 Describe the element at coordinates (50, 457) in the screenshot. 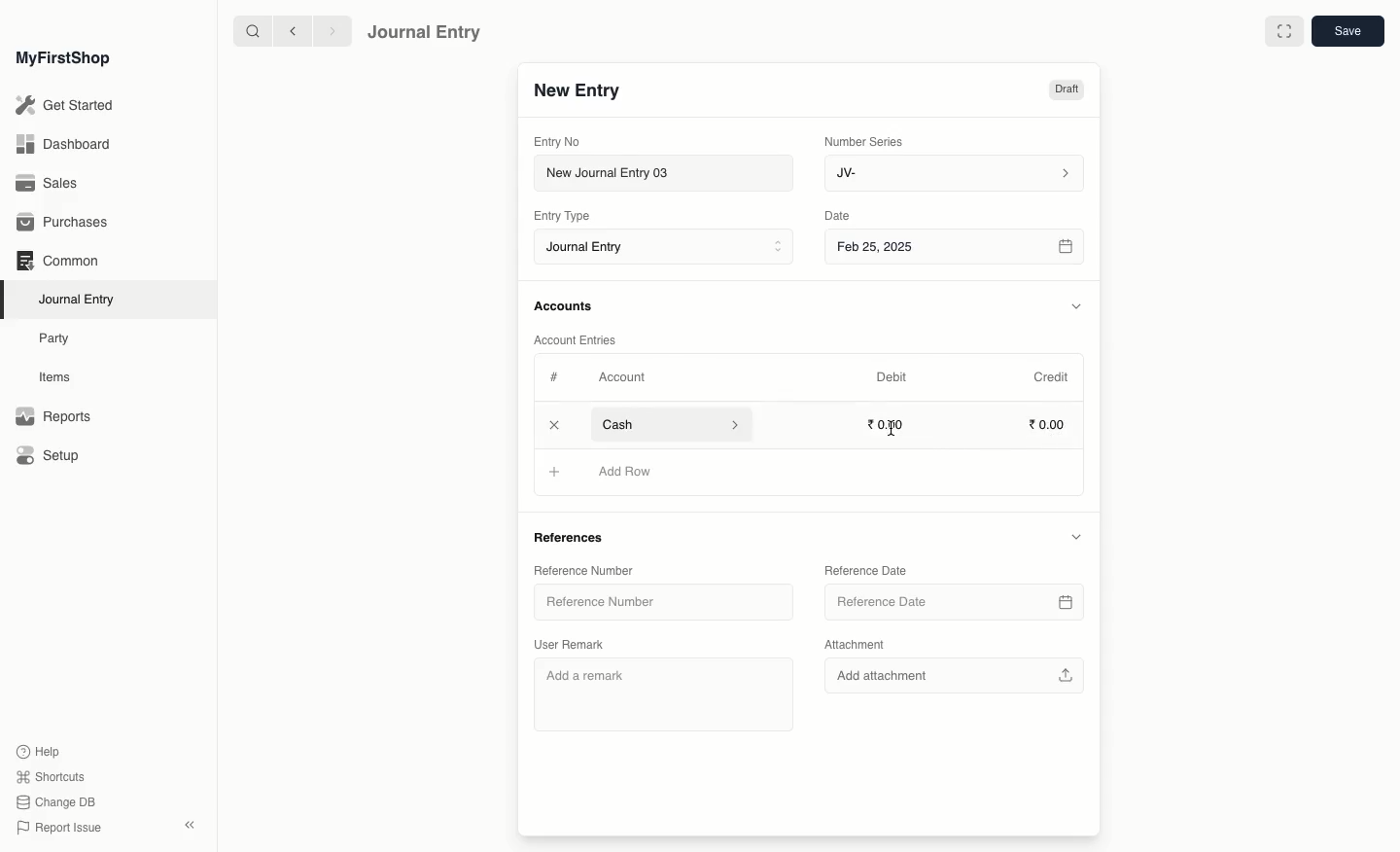

I see `Setup` at that location.